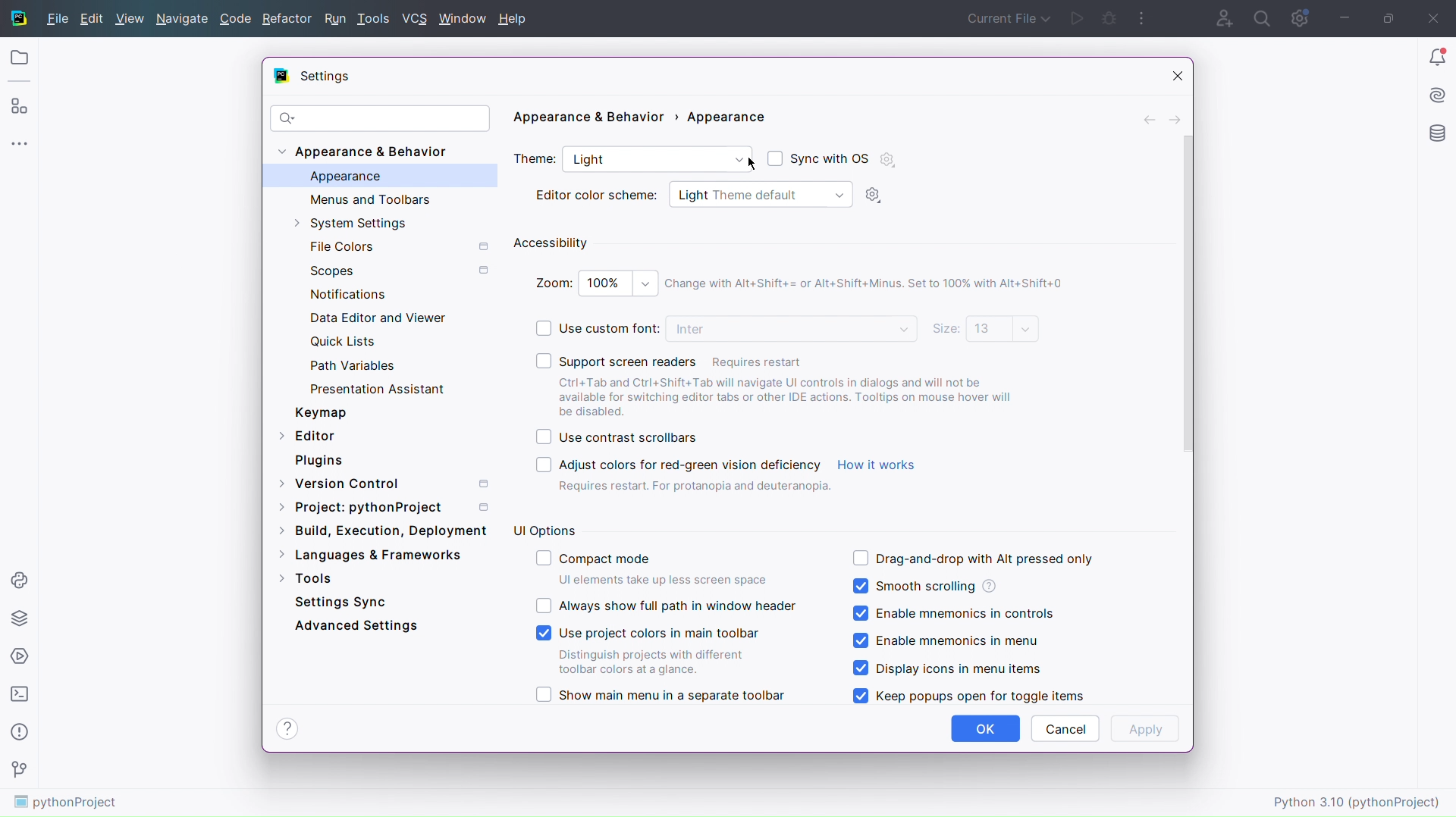 Image resolution: width=1456 pixels, height=817 pixels. Describe the element at coordinates (319, 460) in the screenshot. I see `Plugins` at that location.